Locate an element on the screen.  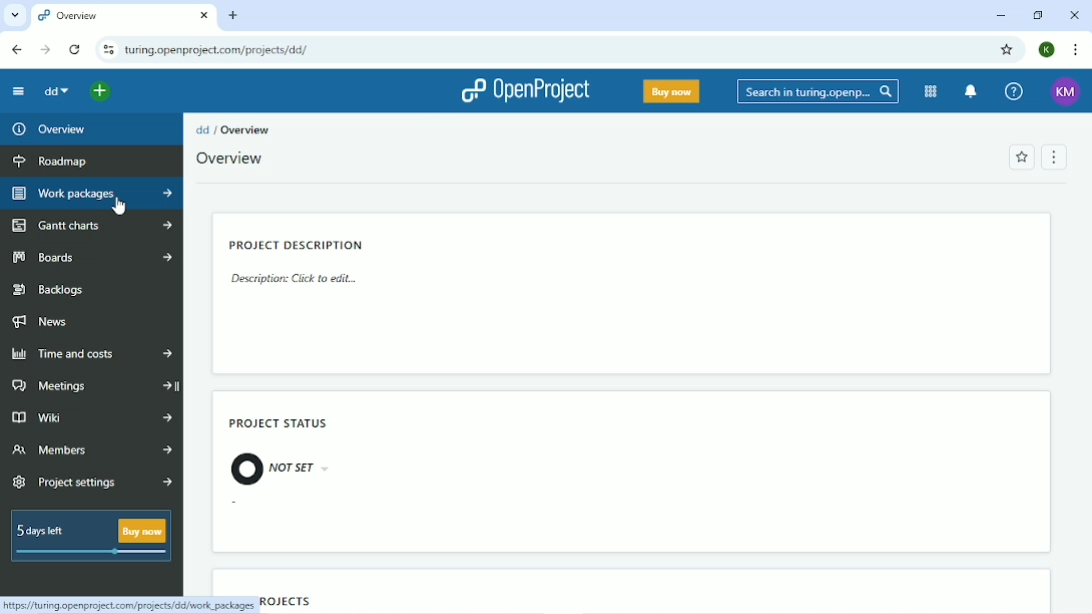
Close is located at coordinates (1076, 15).